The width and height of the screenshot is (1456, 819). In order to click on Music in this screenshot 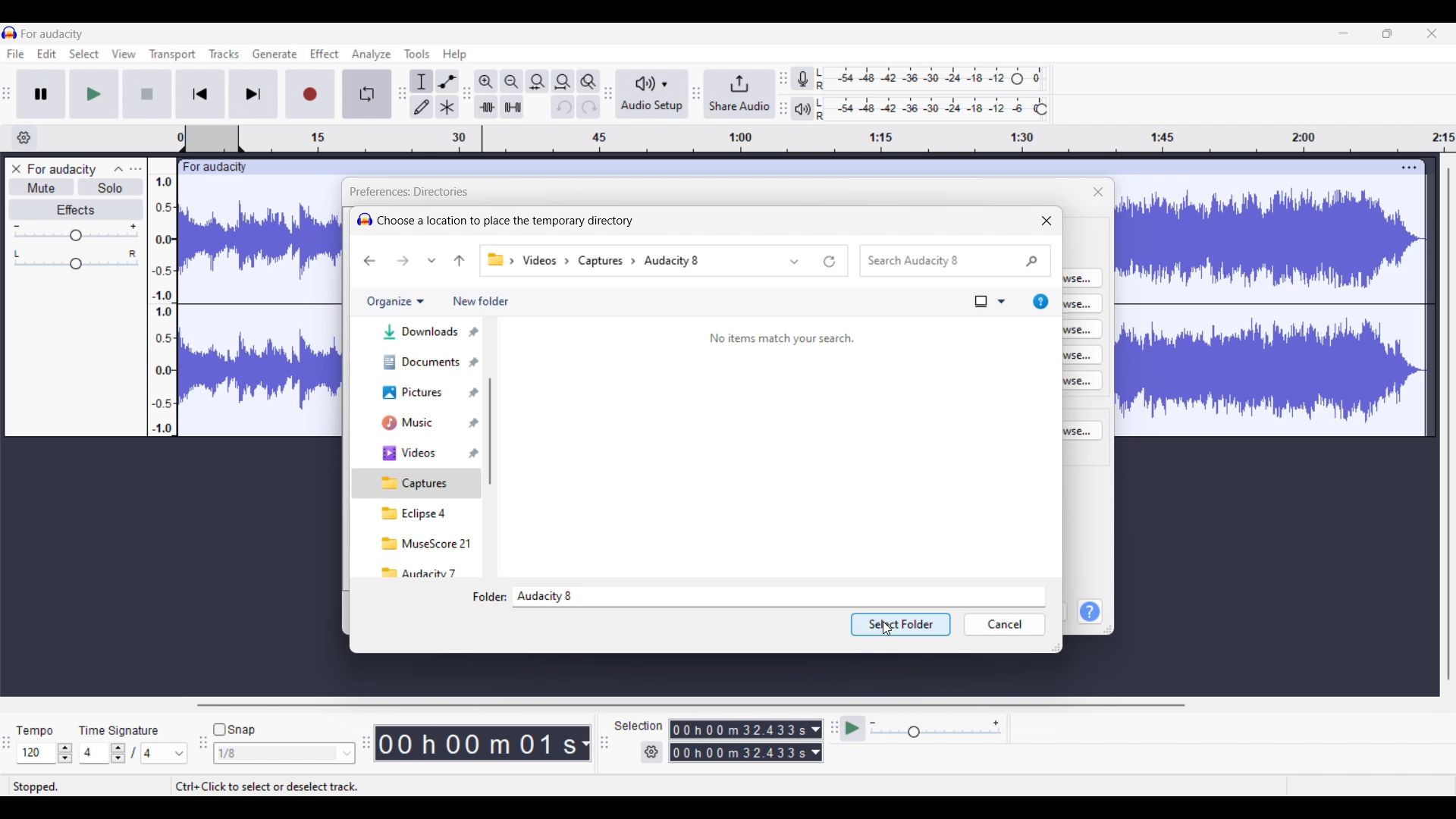, I will do `click(422, 422)`.